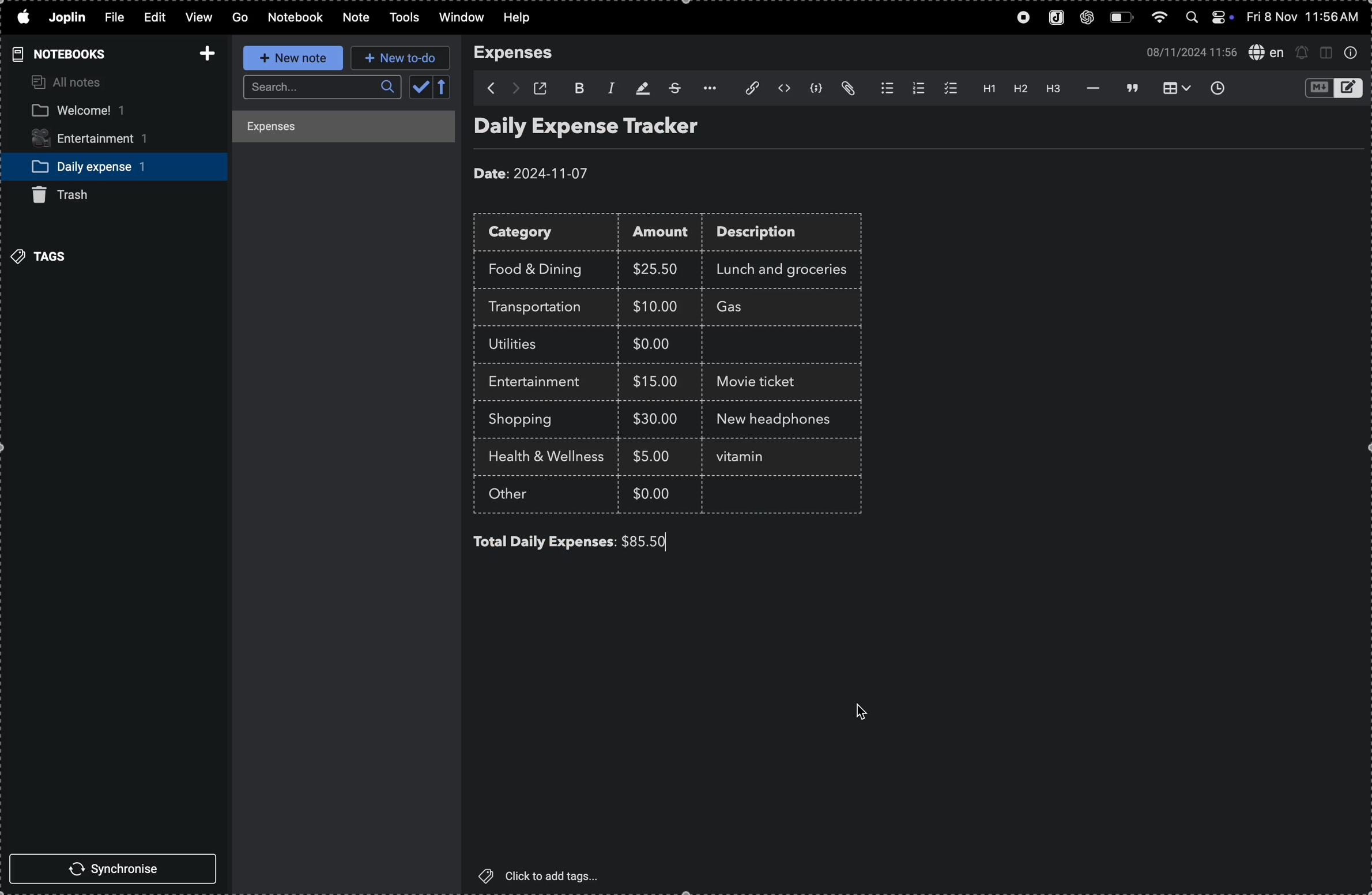 The width and height of the screenshot is (1372, 895). What do you see at coordinates (1053, 18) in the screenshot?
I see `joplin` at bounding box center [1053, 18].